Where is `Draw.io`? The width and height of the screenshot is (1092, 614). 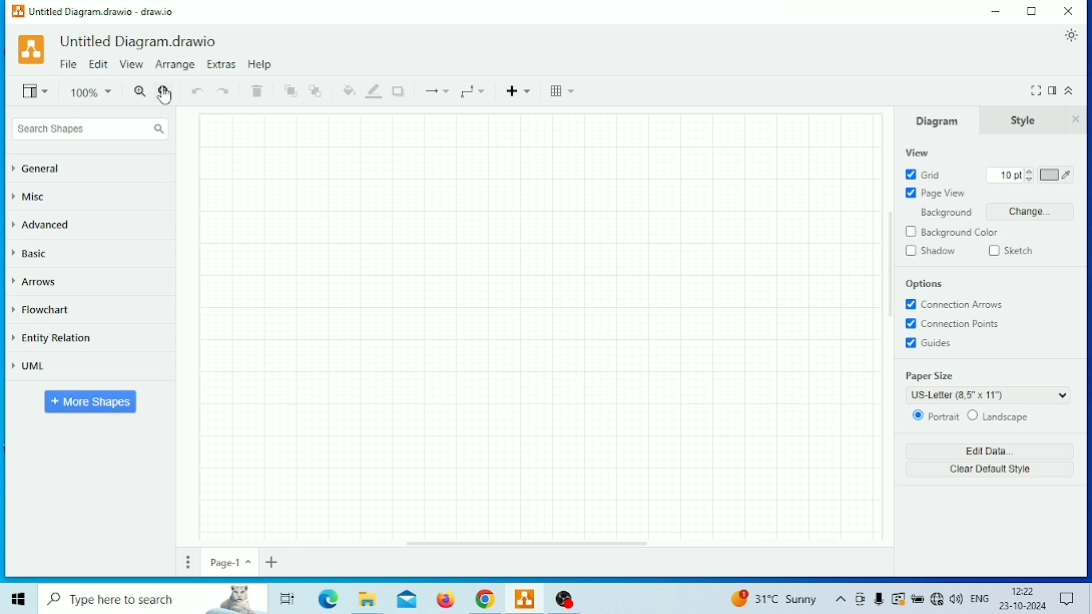
Draw.io is located at coordinates (525, 598).